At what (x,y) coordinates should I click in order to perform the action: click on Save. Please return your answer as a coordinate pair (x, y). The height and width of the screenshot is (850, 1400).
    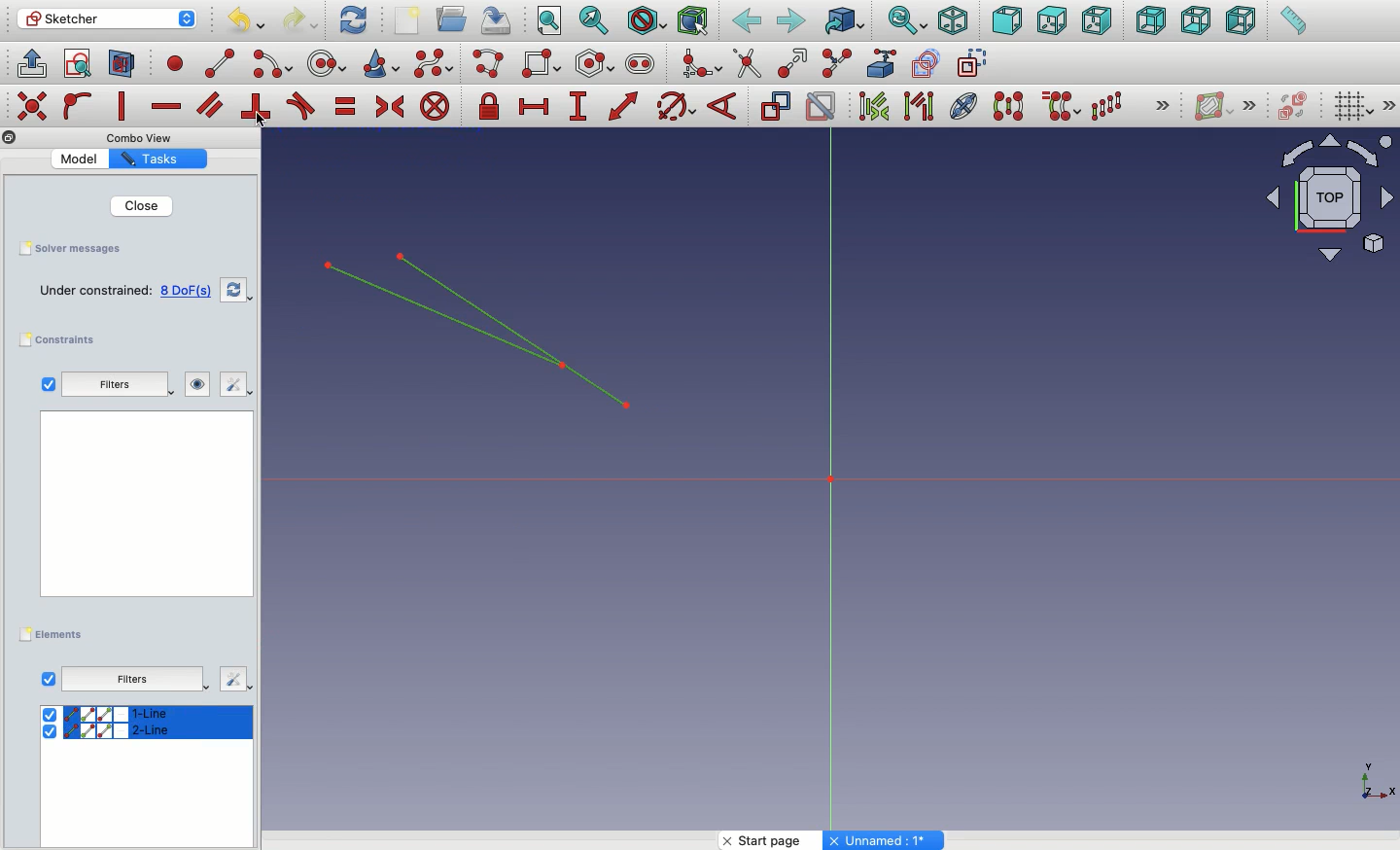
    Looking at the image, I should click on (501, 20).